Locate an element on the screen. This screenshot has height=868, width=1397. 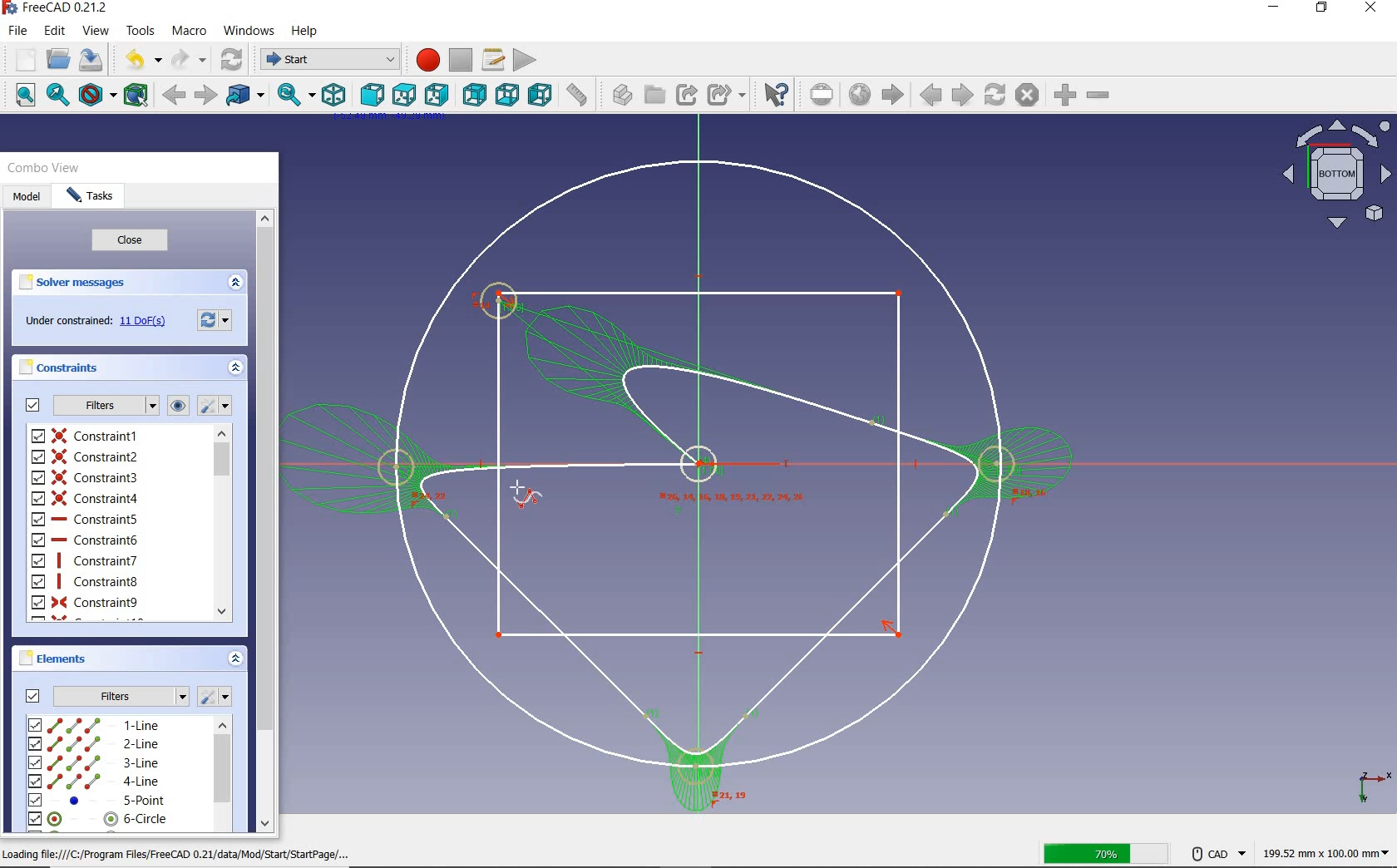
left is located at coordinates (540, 96).